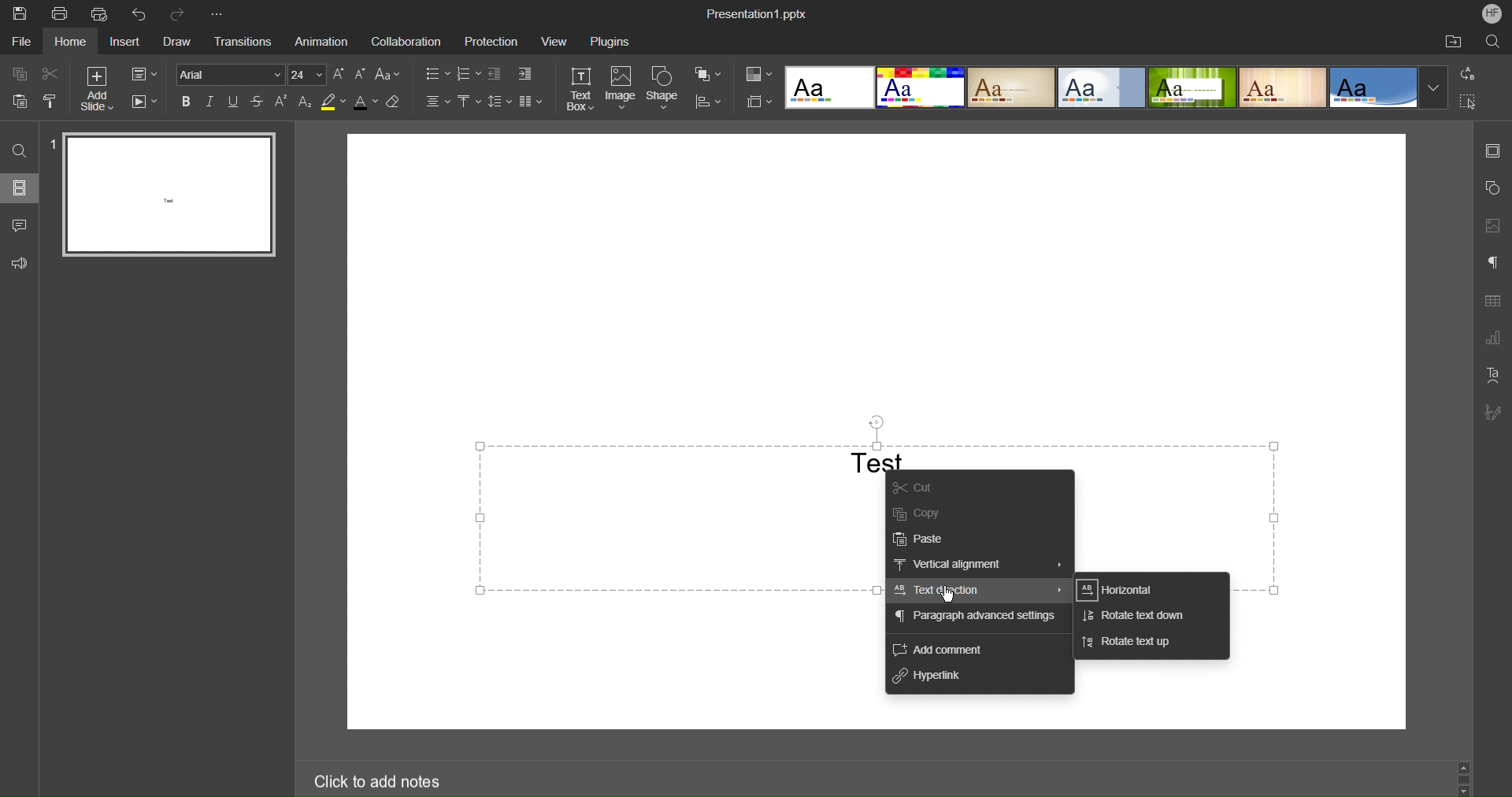  Describe the element at coordinates (406, 39) in the screenshot. I see `Collaboration` at that location.